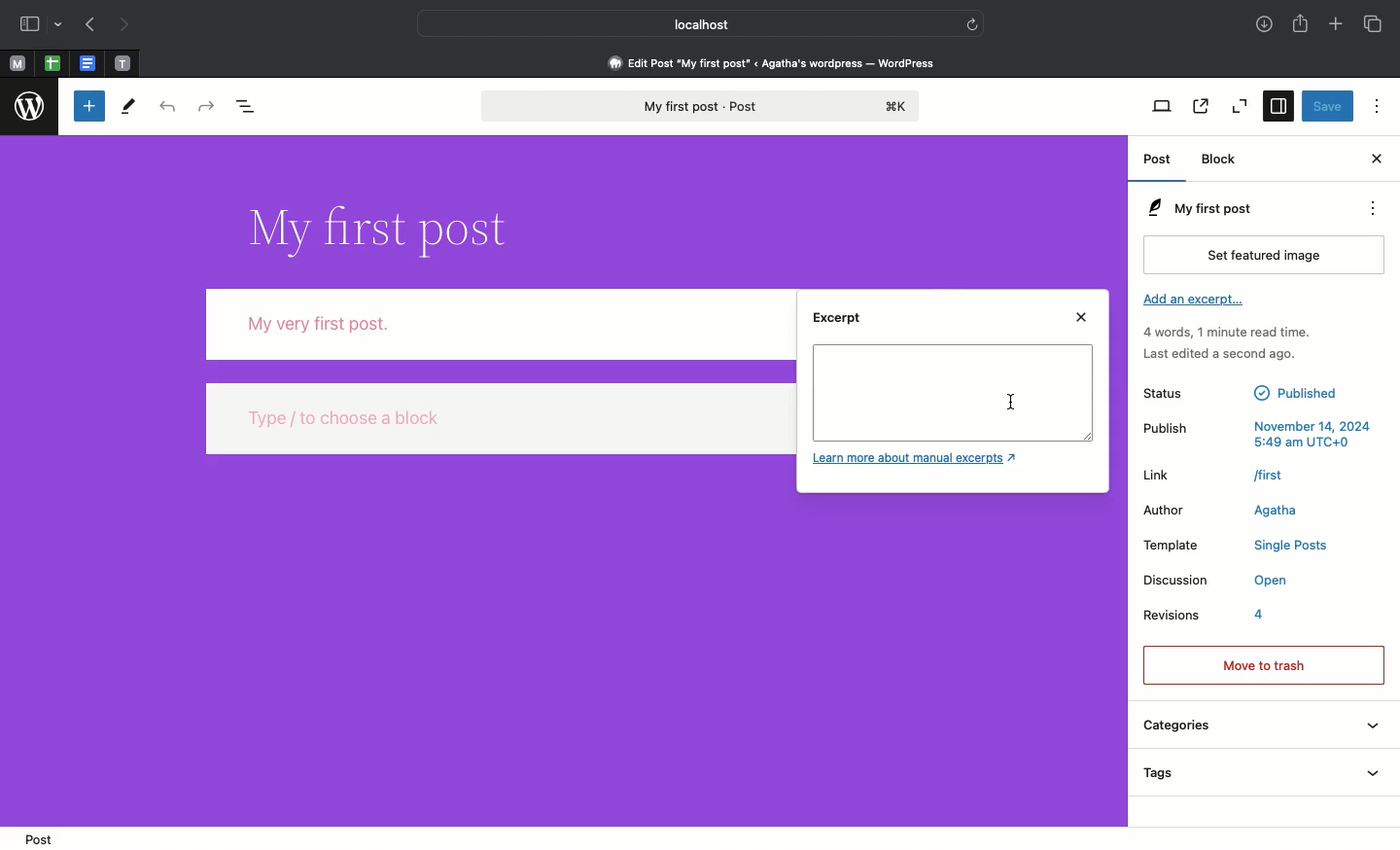  I want to click on Set featured image, so click(1268, 254).